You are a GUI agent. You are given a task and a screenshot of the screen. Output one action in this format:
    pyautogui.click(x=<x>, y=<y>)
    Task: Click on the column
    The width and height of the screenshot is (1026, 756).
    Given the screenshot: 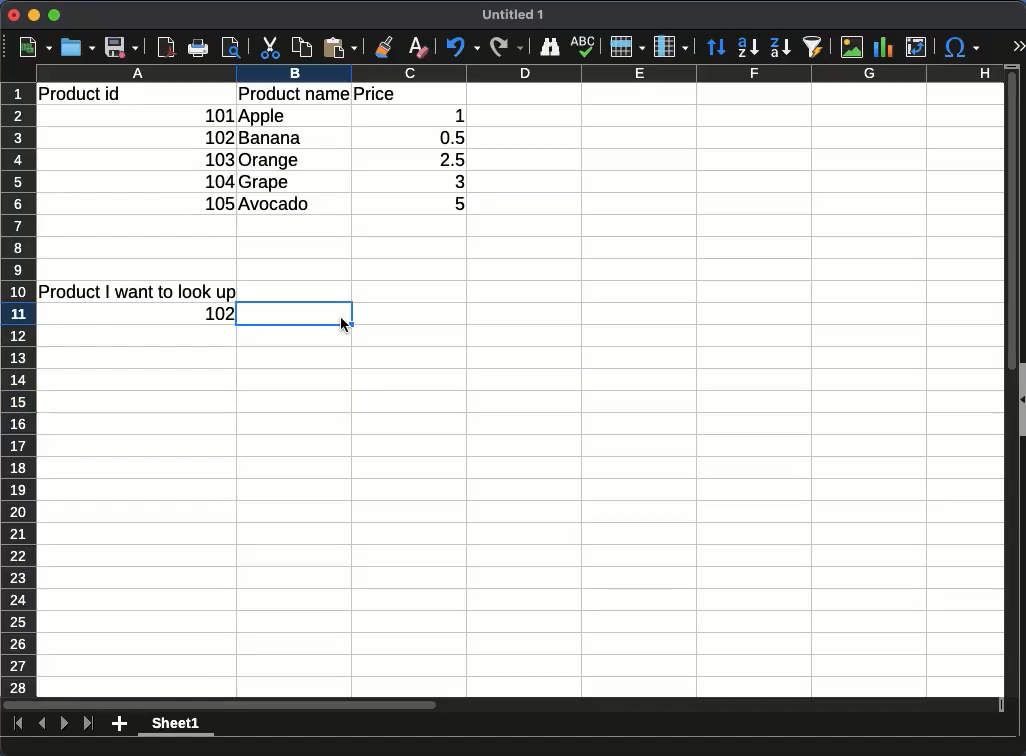 What is the action you would take?
    pyautogui.click(x=671, y=47)
    